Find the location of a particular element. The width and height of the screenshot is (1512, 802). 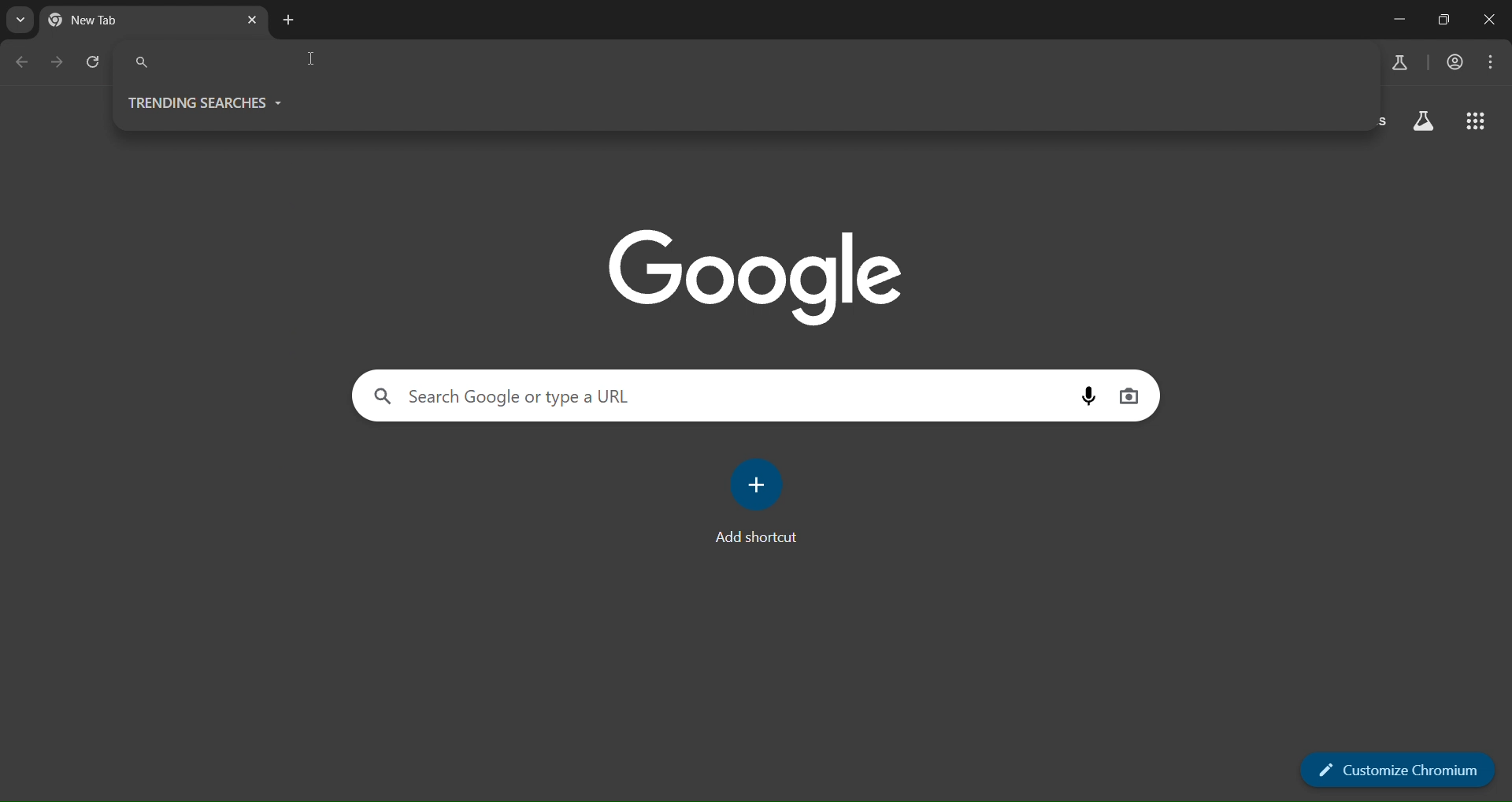

restore down is located at coordinates (1440, 20).